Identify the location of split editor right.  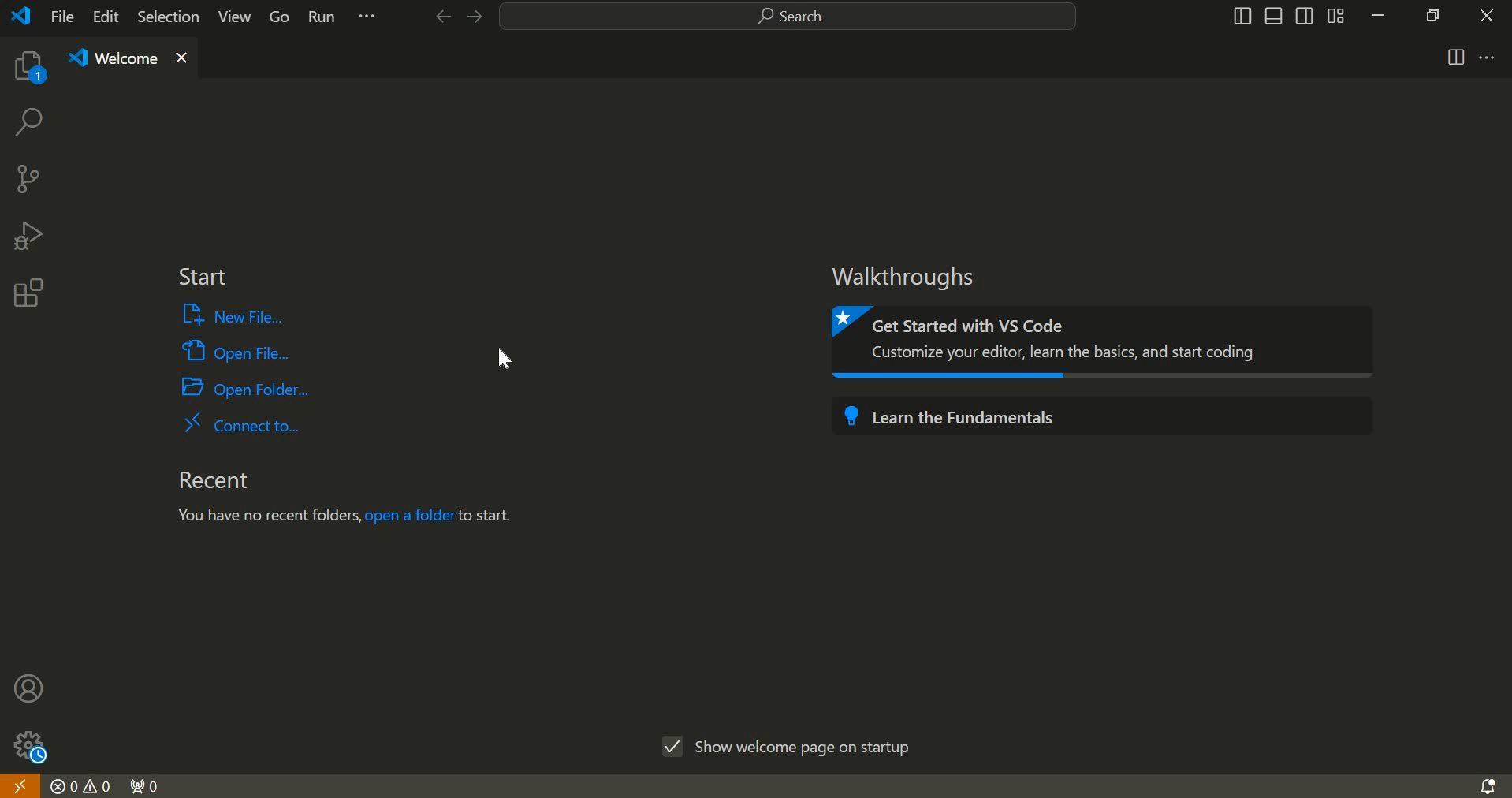
(1457, 57).